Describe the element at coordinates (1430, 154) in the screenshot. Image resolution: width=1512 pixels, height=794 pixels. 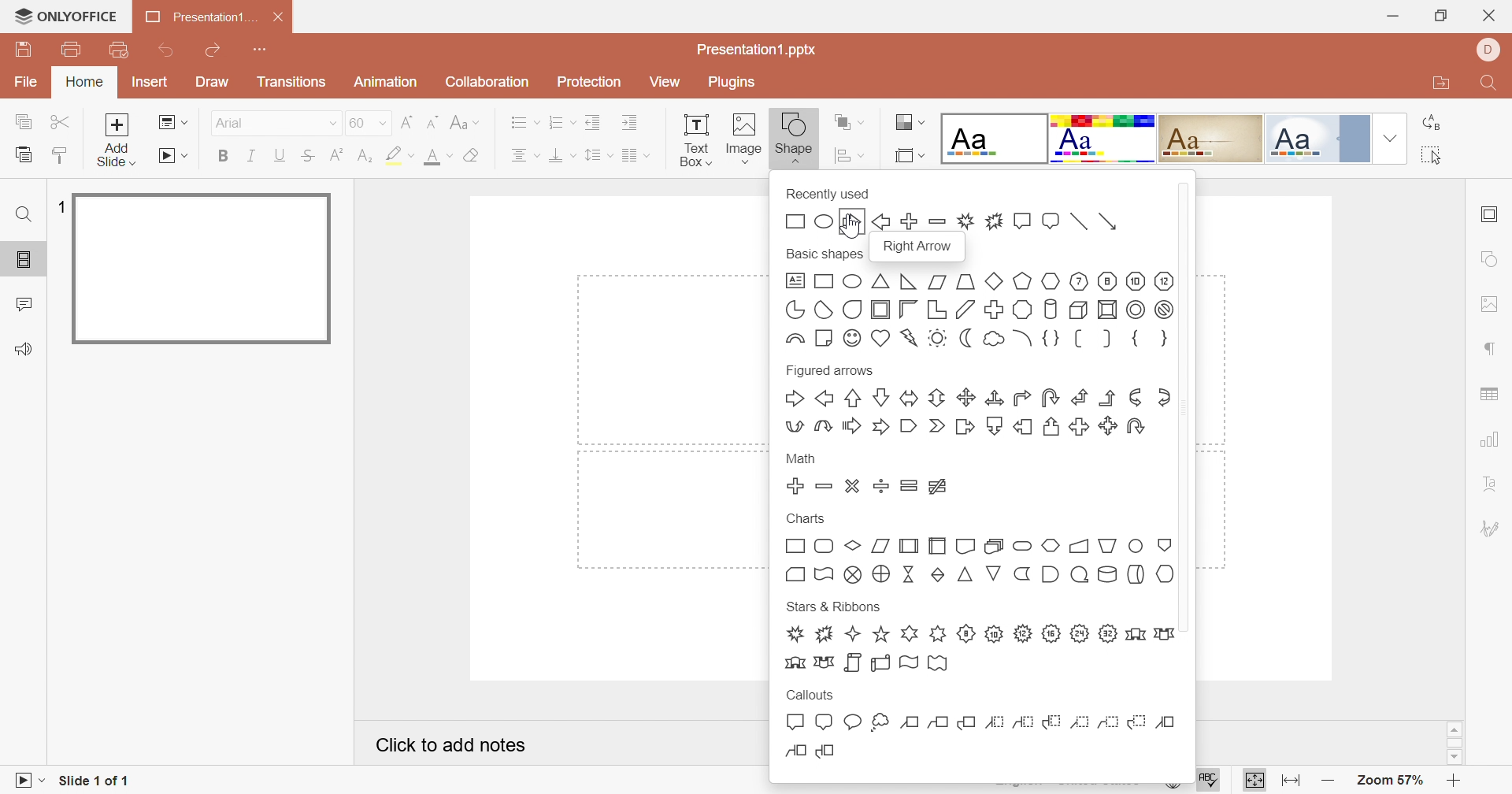
I see `Select all` at that location.